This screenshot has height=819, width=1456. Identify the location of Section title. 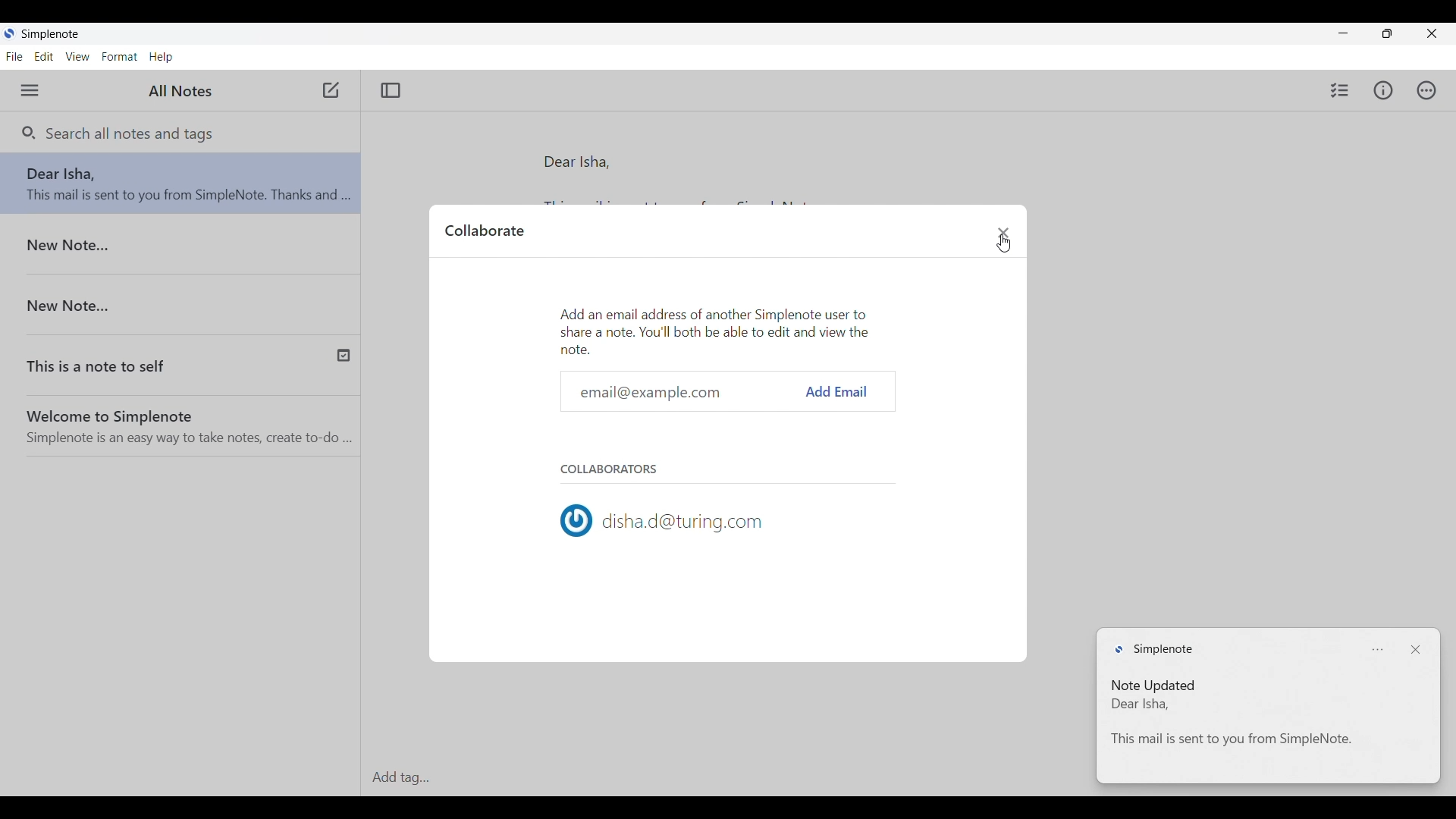
(610, 469).